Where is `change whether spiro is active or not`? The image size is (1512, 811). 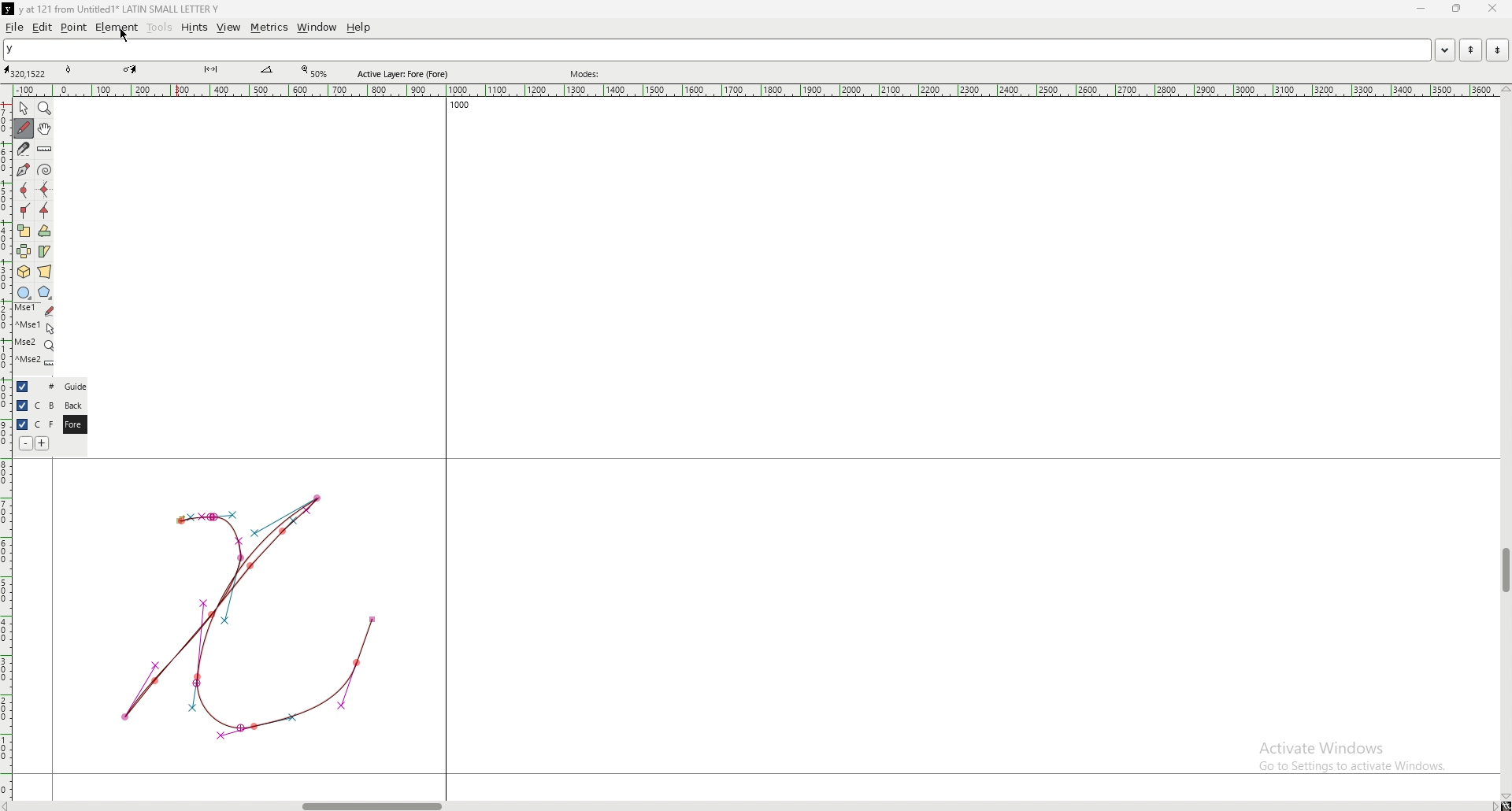
change whether spiro is active or not is located at coordinates (45, 169).